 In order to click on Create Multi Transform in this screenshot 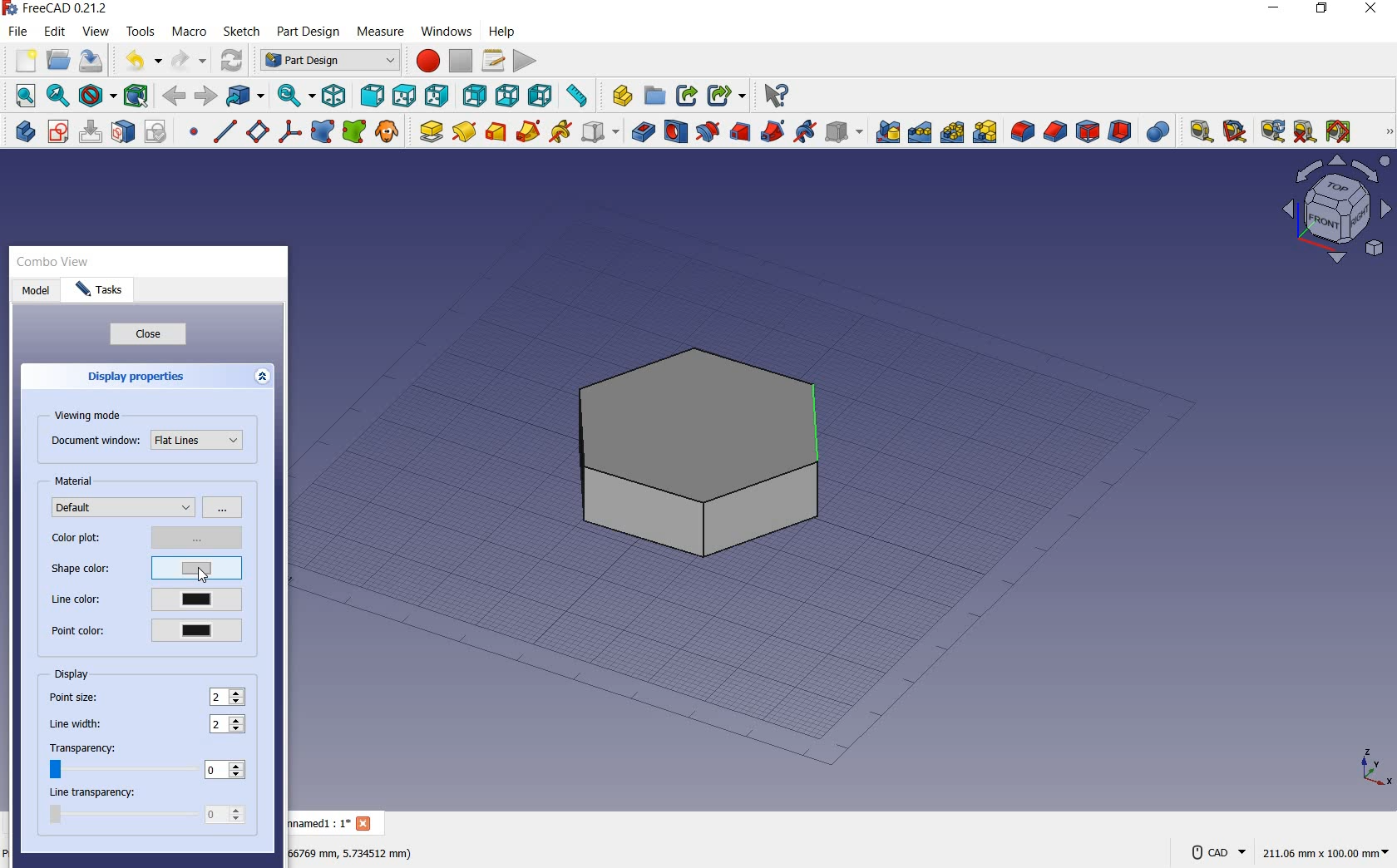, I will do `click(985, 132)`.